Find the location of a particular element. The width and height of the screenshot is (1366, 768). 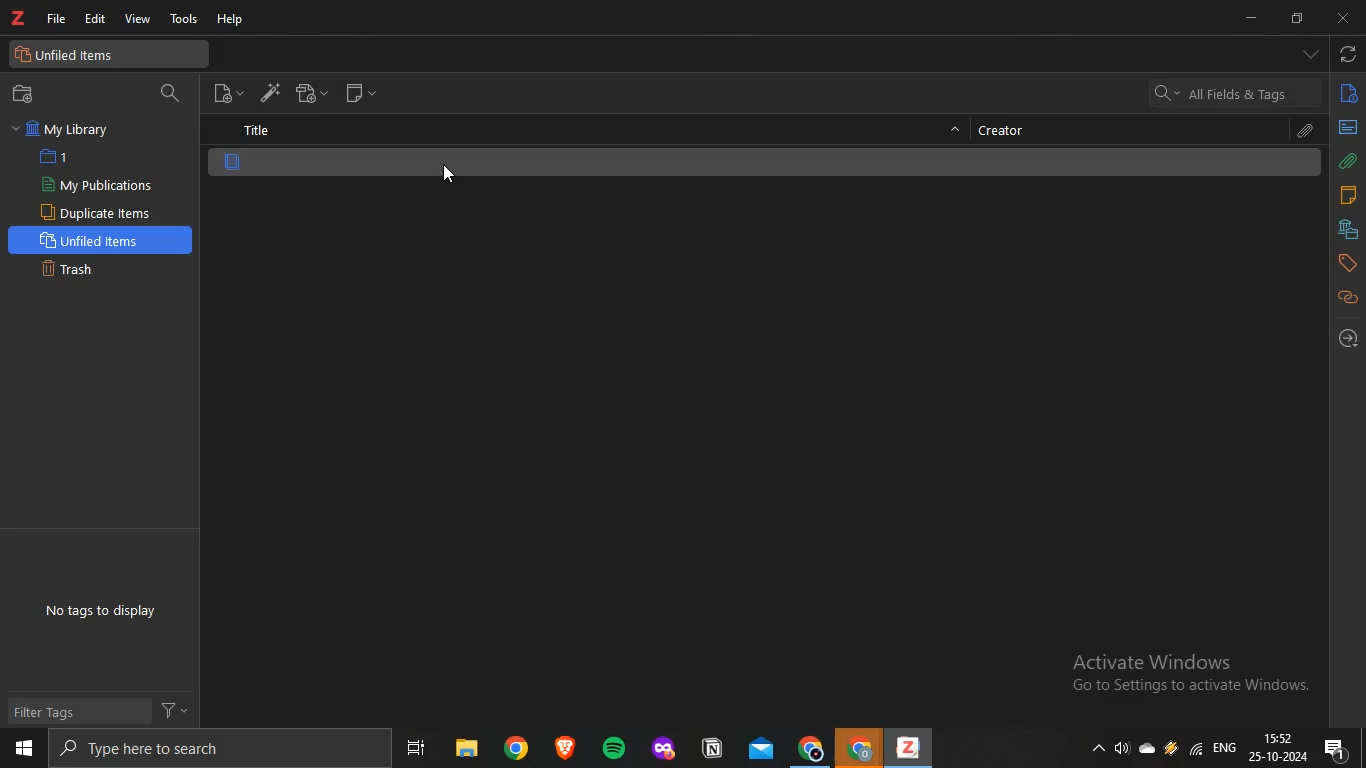

new collection is located at coordinates (27, 94).